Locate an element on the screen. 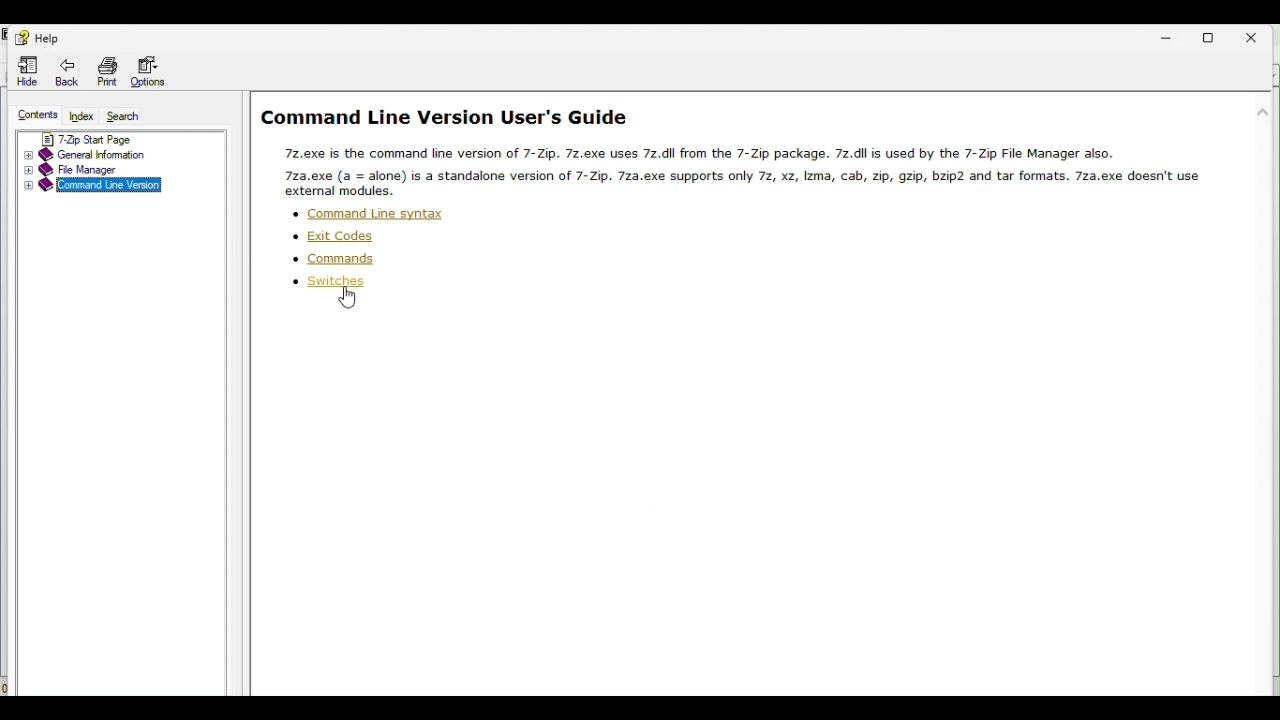 This screenshot has width=1280, height=720. Cursor is located at coordinates (347, 301).